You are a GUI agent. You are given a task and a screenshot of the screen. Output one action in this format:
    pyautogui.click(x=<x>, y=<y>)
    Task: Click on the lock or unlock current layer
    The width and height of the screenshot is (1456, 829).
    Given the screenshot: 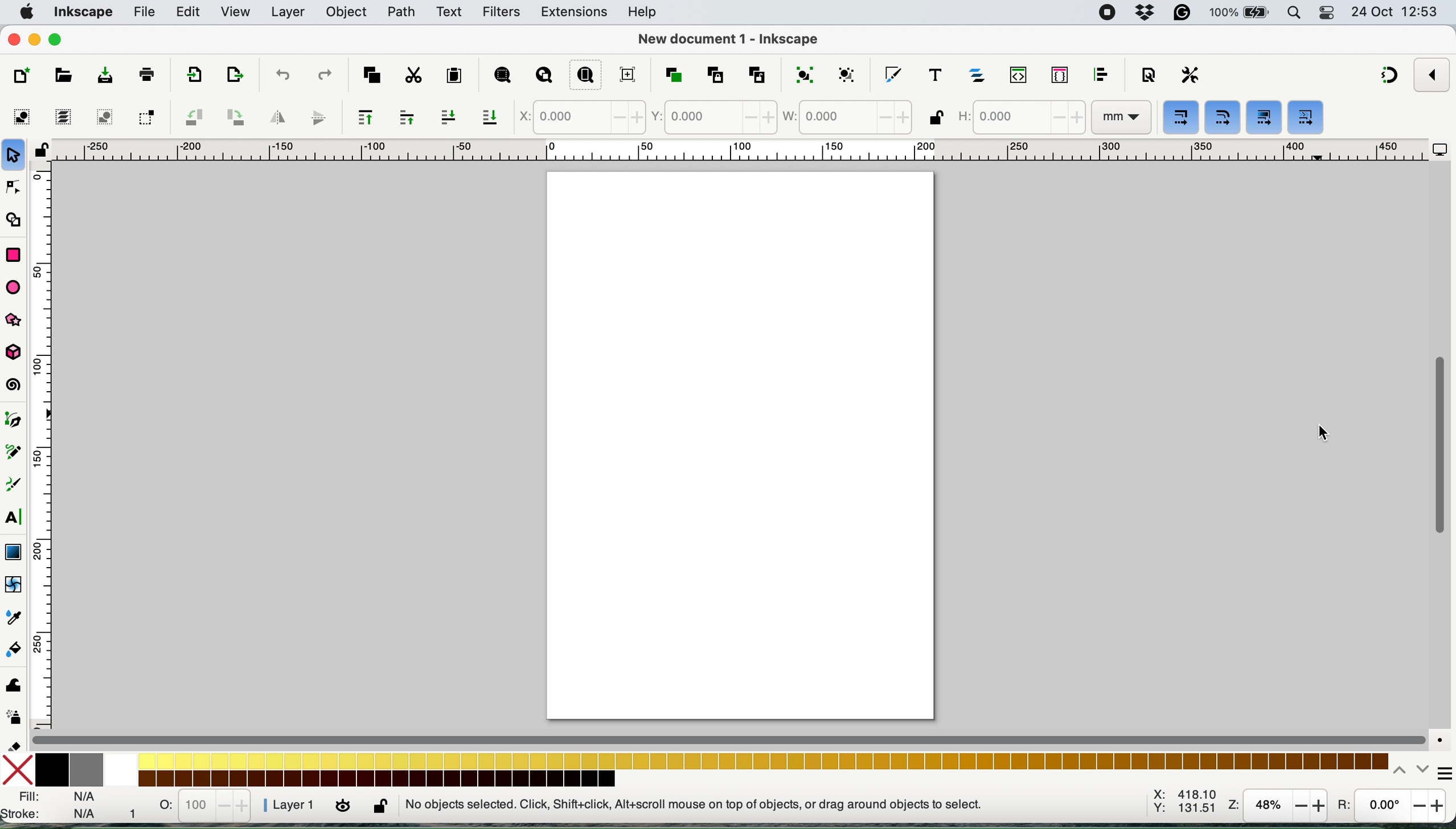 What is the action you would take?
    pyautogui.click(x=379, y=807)
    